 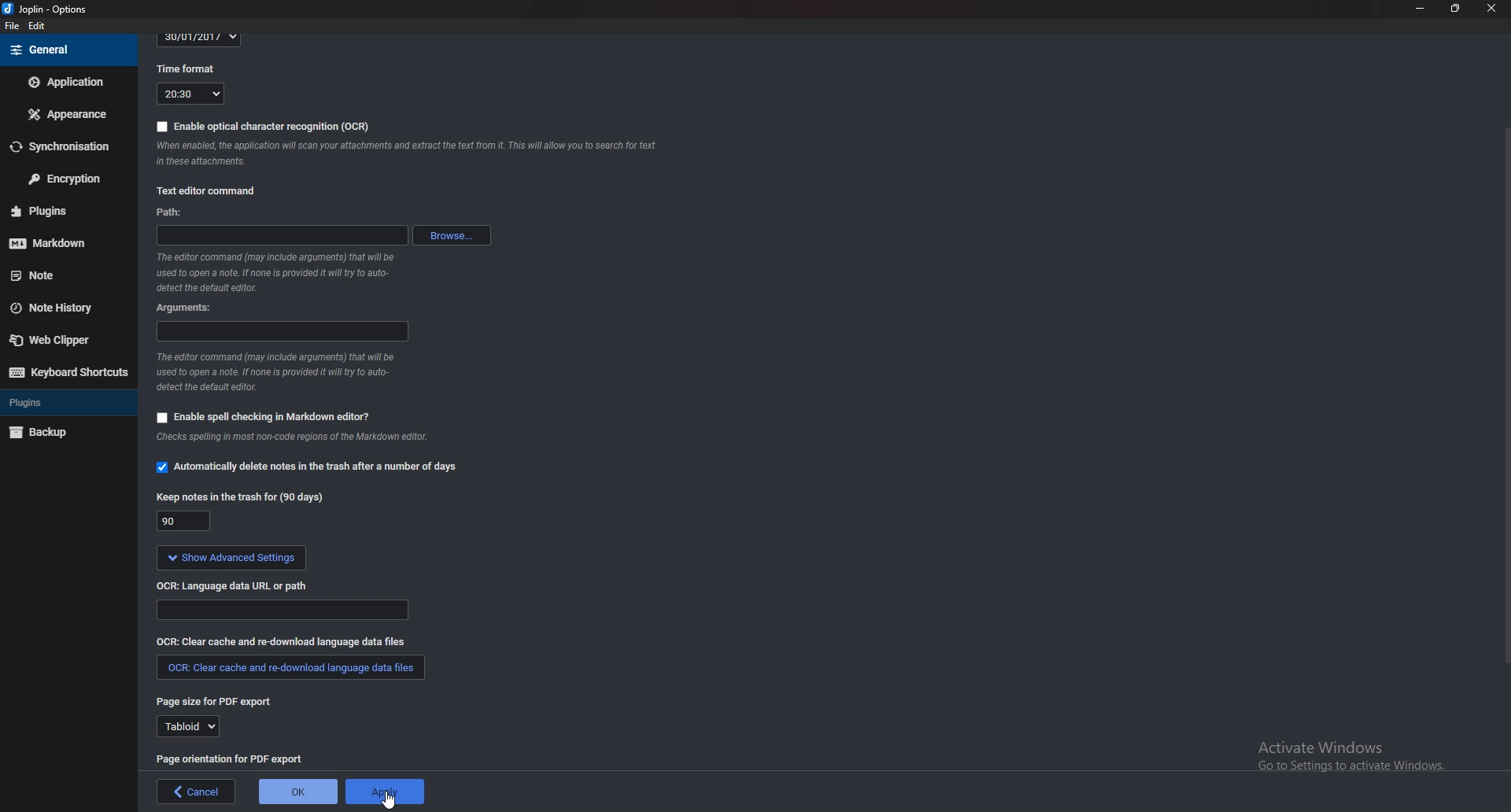 What do you see at coordinates (283, 271) in the screenshot?
I see `Info` at bounding box center [283, 271].